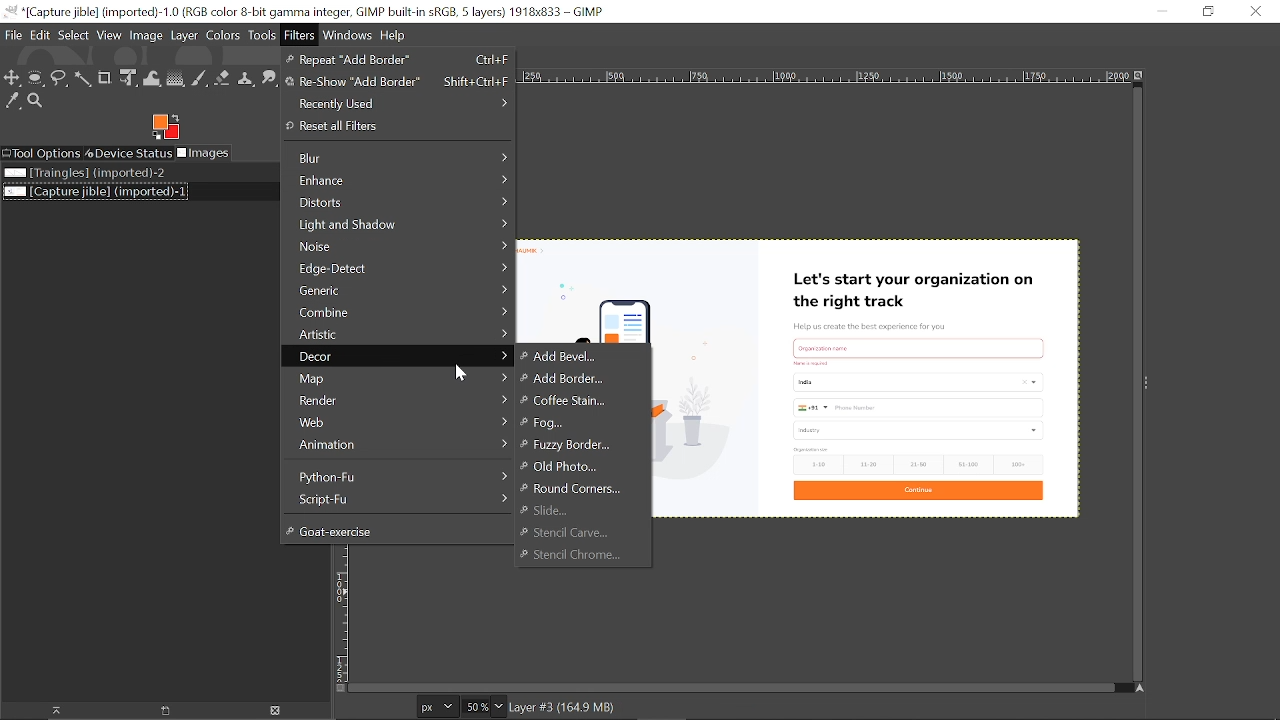  What do you see at coordinates (51, 711) in the screenshot?
I see `Raise the image display` at bounding box center [51, 711].